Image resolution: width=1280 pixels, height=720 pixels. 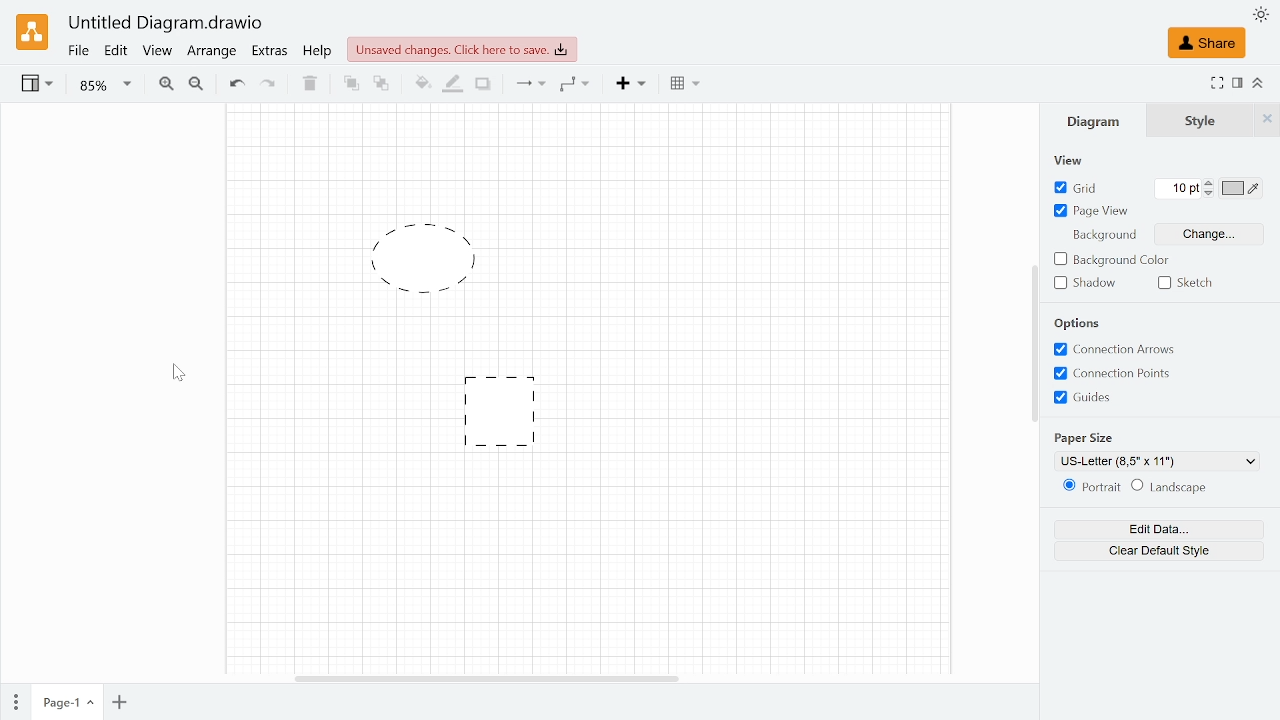 What do you see at coordinates (1085, 283) in the screenshot?
I see `Shadow` at bounding box center [1085, 283].